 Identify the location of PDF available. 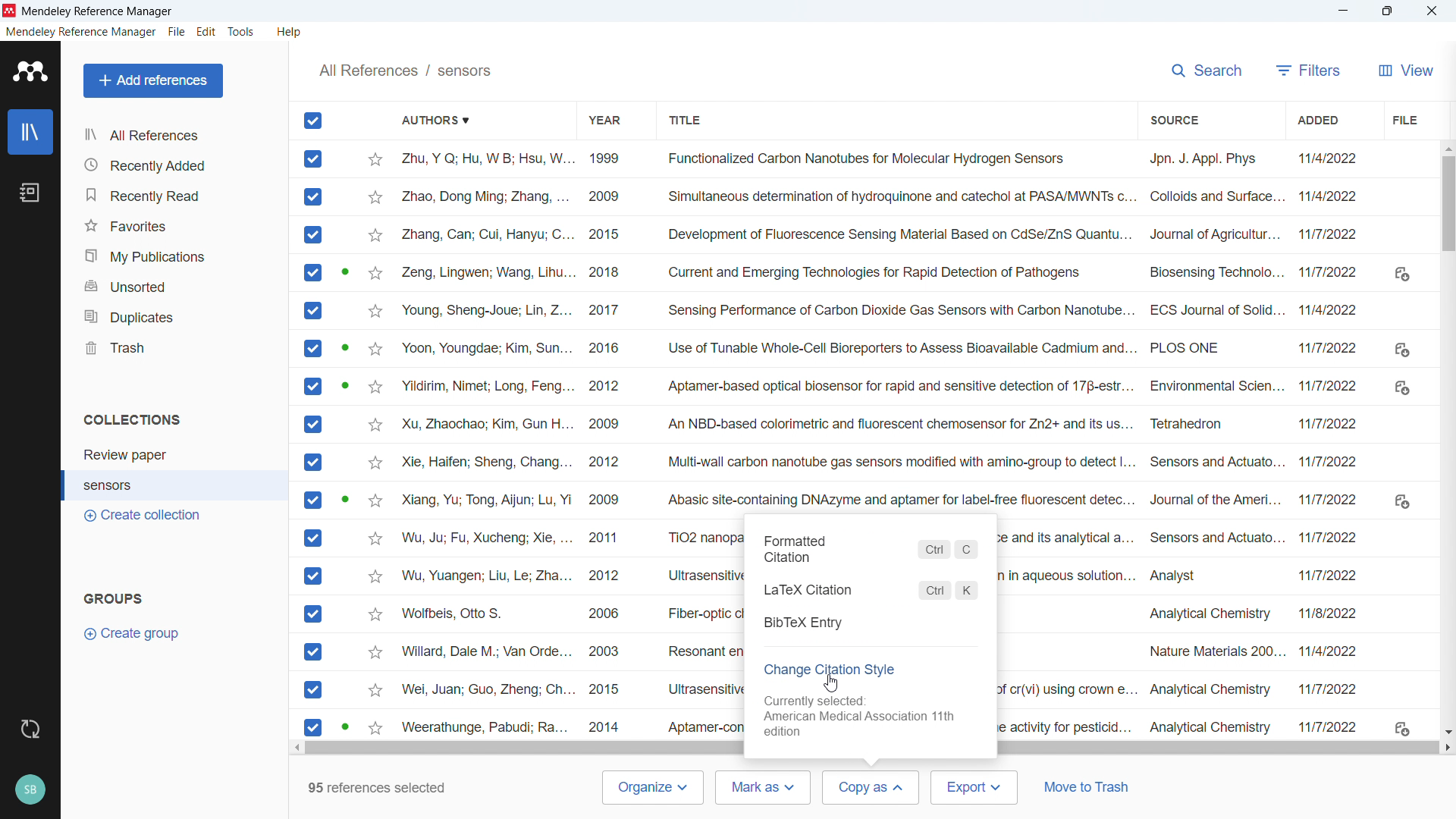
(347, 271).